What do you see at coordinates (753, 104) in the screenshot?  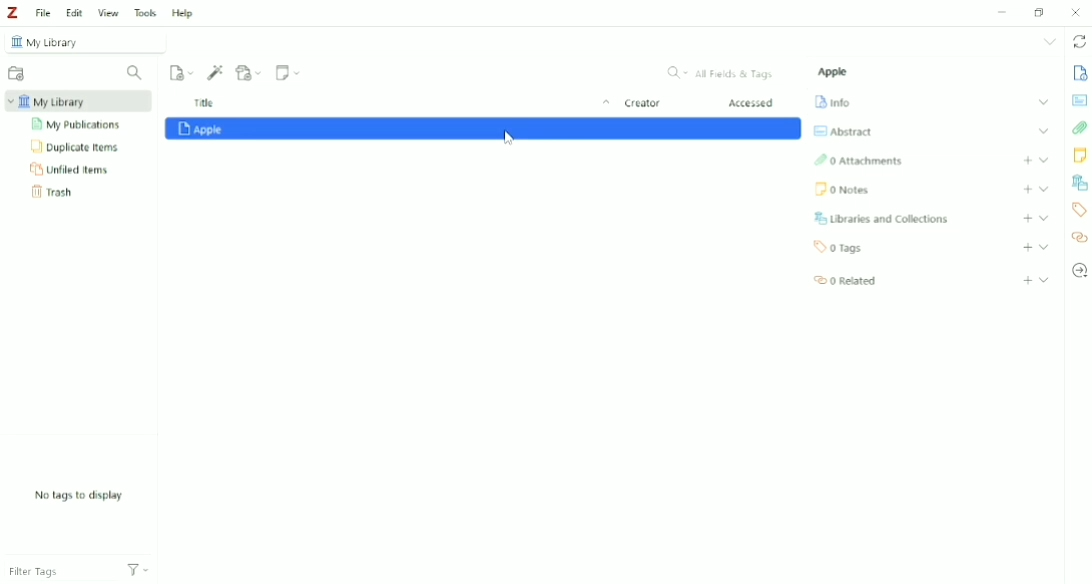 I see `Accessed` at bounding box center [753, 104].